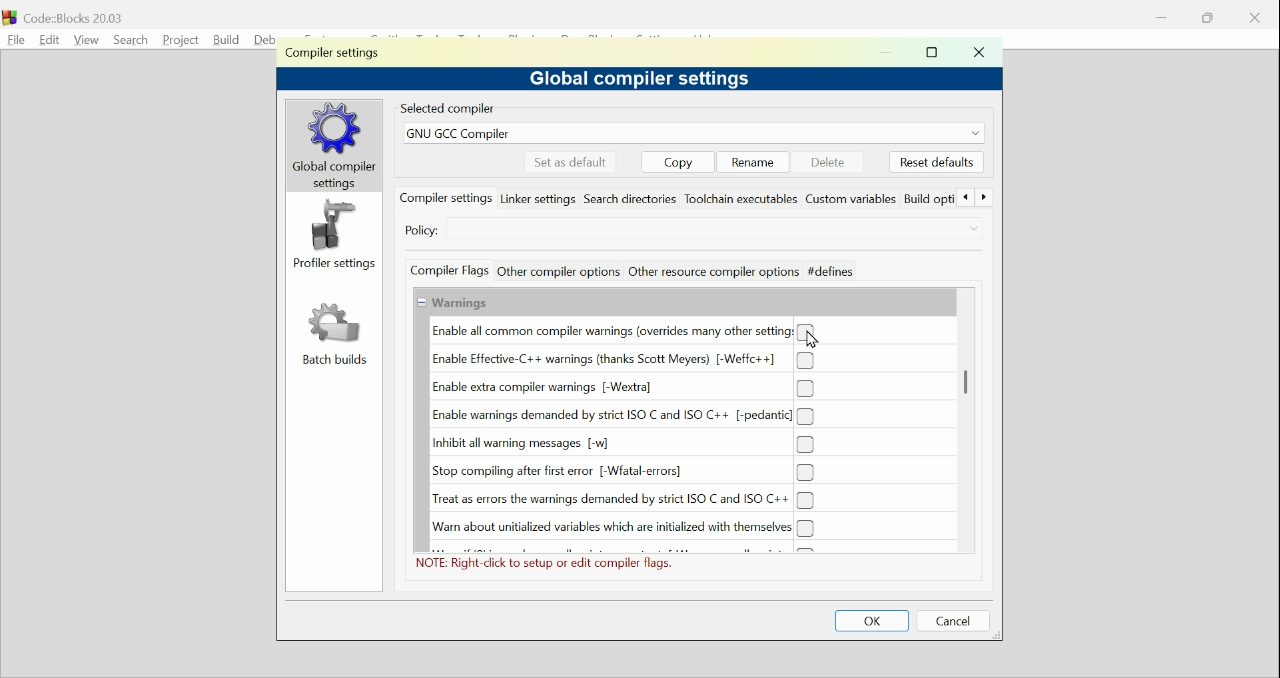 The width and height of the screenshot is (1280, 678). Describe the element at coordinates (965, 199) in the screenshot. I see `Back` at that location.